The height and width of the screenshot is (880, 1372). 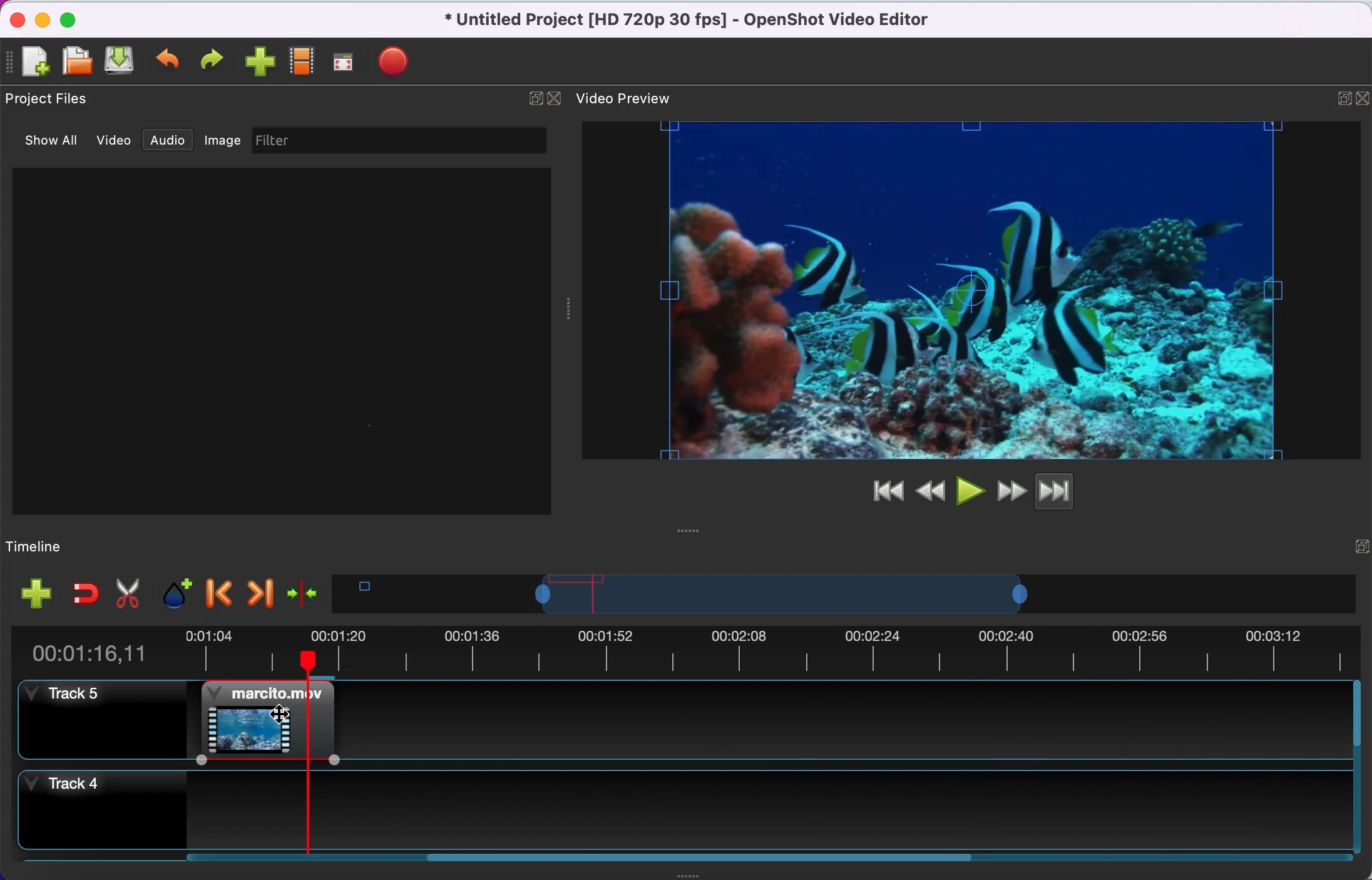 I want to click on project files, so click(x=58, y=99).